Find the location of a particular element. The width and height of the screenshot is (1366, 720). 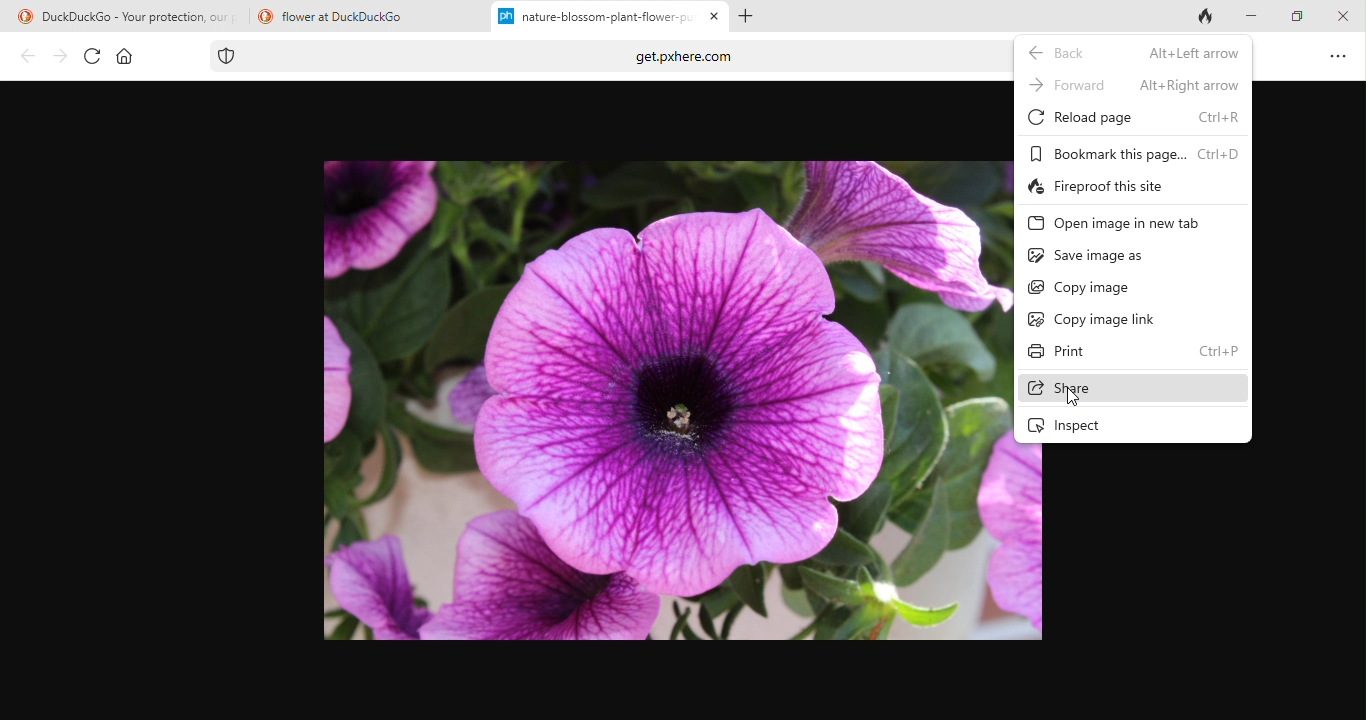

share is located at coordinates (1130, 389).